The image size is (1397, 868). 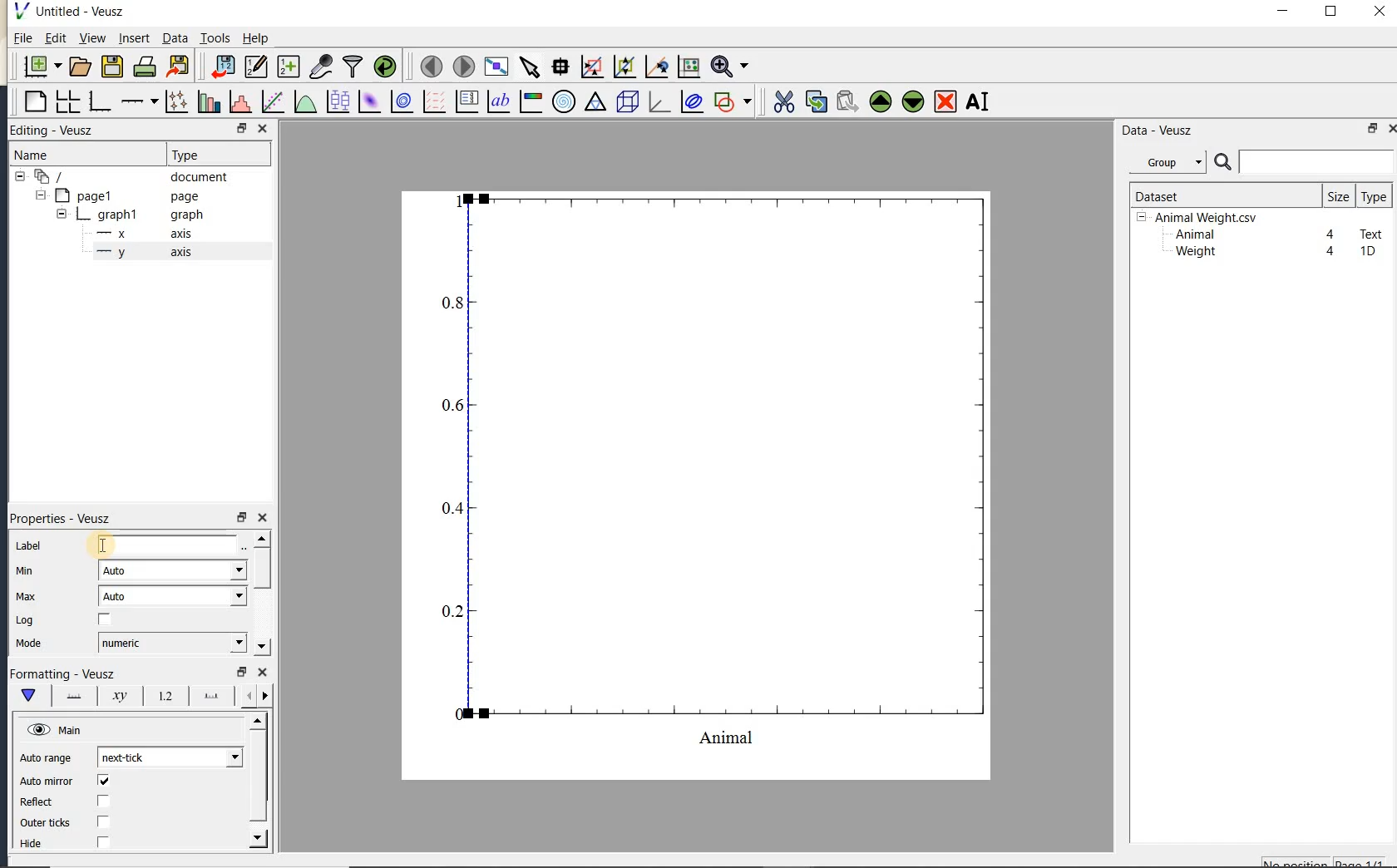 What do you see at coordinates (595, 104) in the screenshot?
I see `ternary graph` at bounding box center [595, 104].